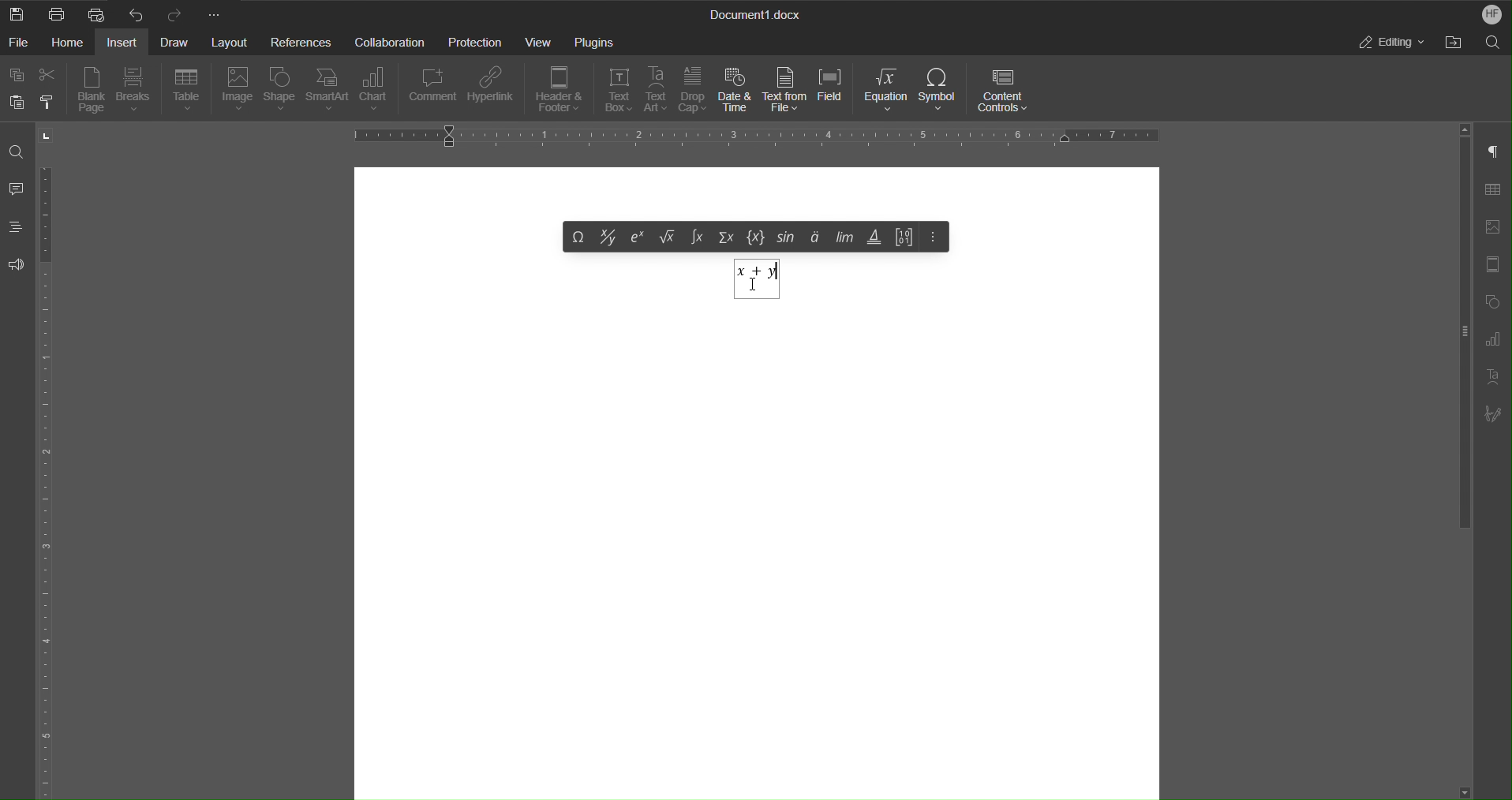 Image resolution: width=1512 pixels, height=800 pixels. I want to click on Cut, so click(48, 75).